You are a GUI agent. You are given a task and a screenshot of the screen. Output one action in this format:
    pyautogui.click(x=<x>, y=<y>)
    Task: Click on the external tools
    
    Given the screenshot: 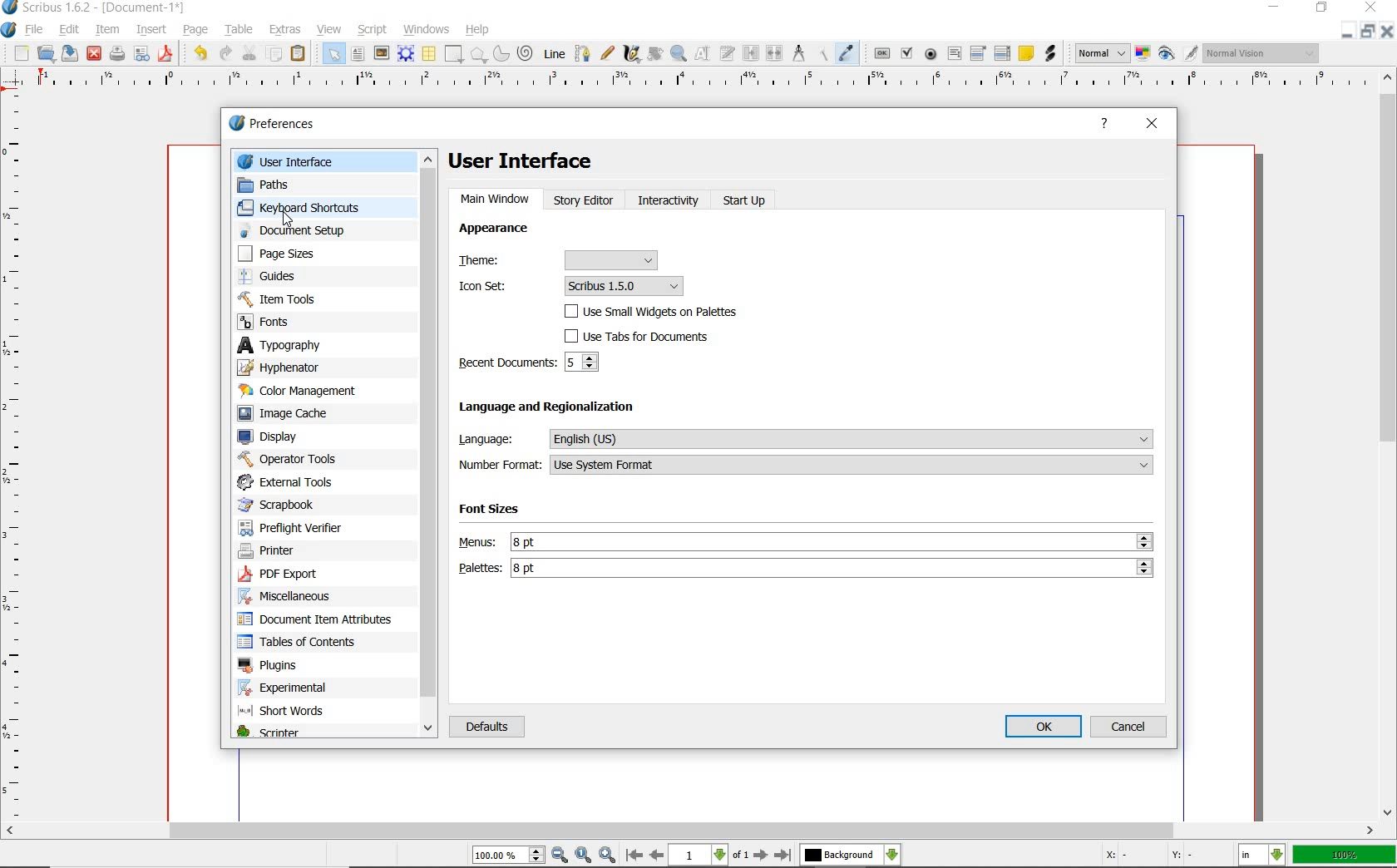 What is the action you would take?
    pyautogui.click(x=293, y=481)
    